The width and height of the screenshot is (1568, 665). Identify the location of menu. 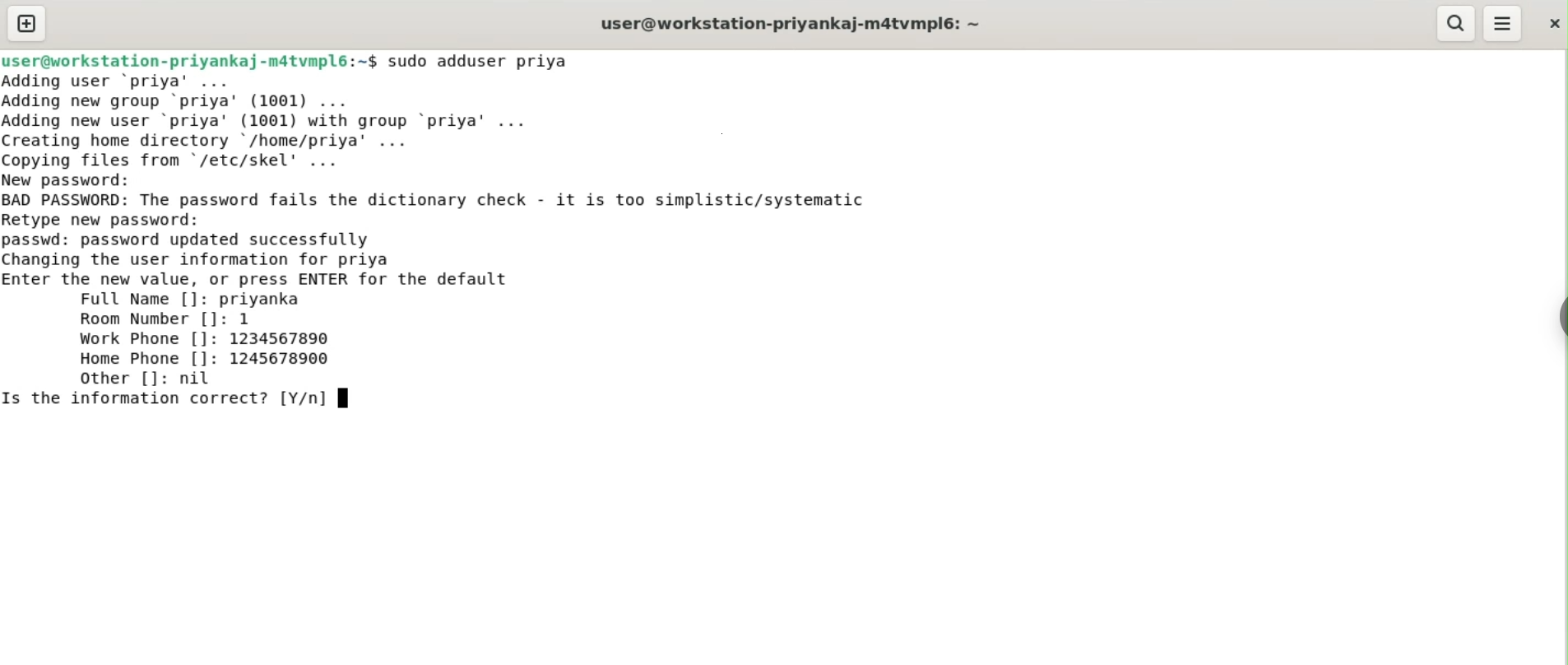
(1503, 24).